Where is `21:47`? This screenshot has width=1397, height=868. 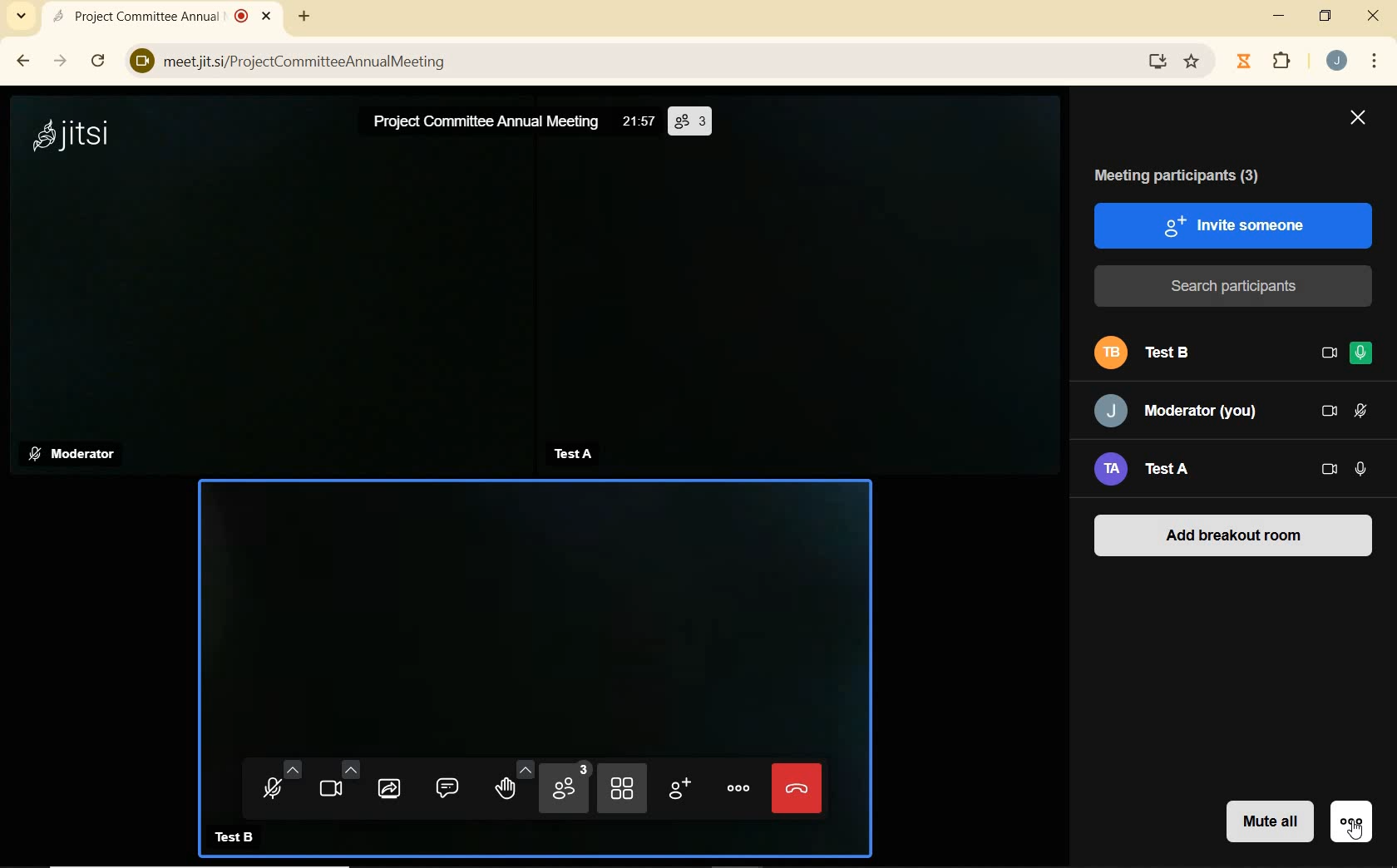 21:47 is located at coordinates (639, 121).